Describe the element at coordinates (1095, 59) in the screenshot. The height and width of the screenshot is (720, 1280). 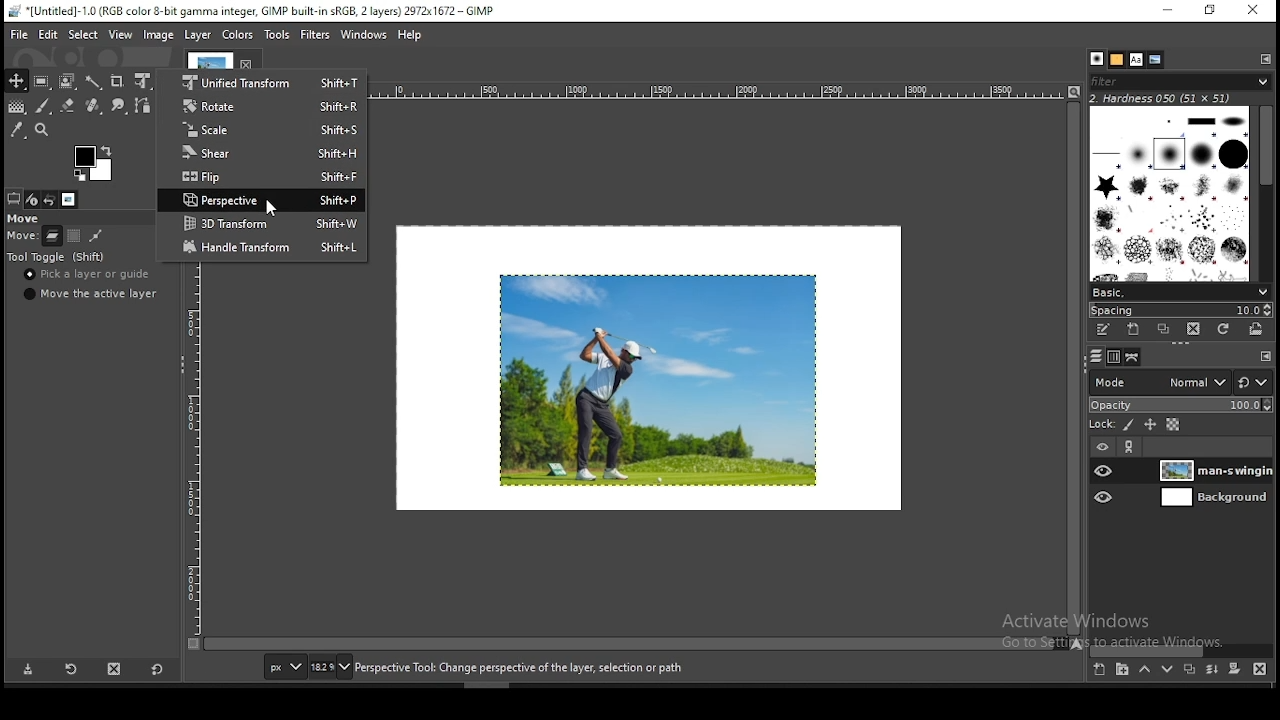
I see `brushes` at that location.